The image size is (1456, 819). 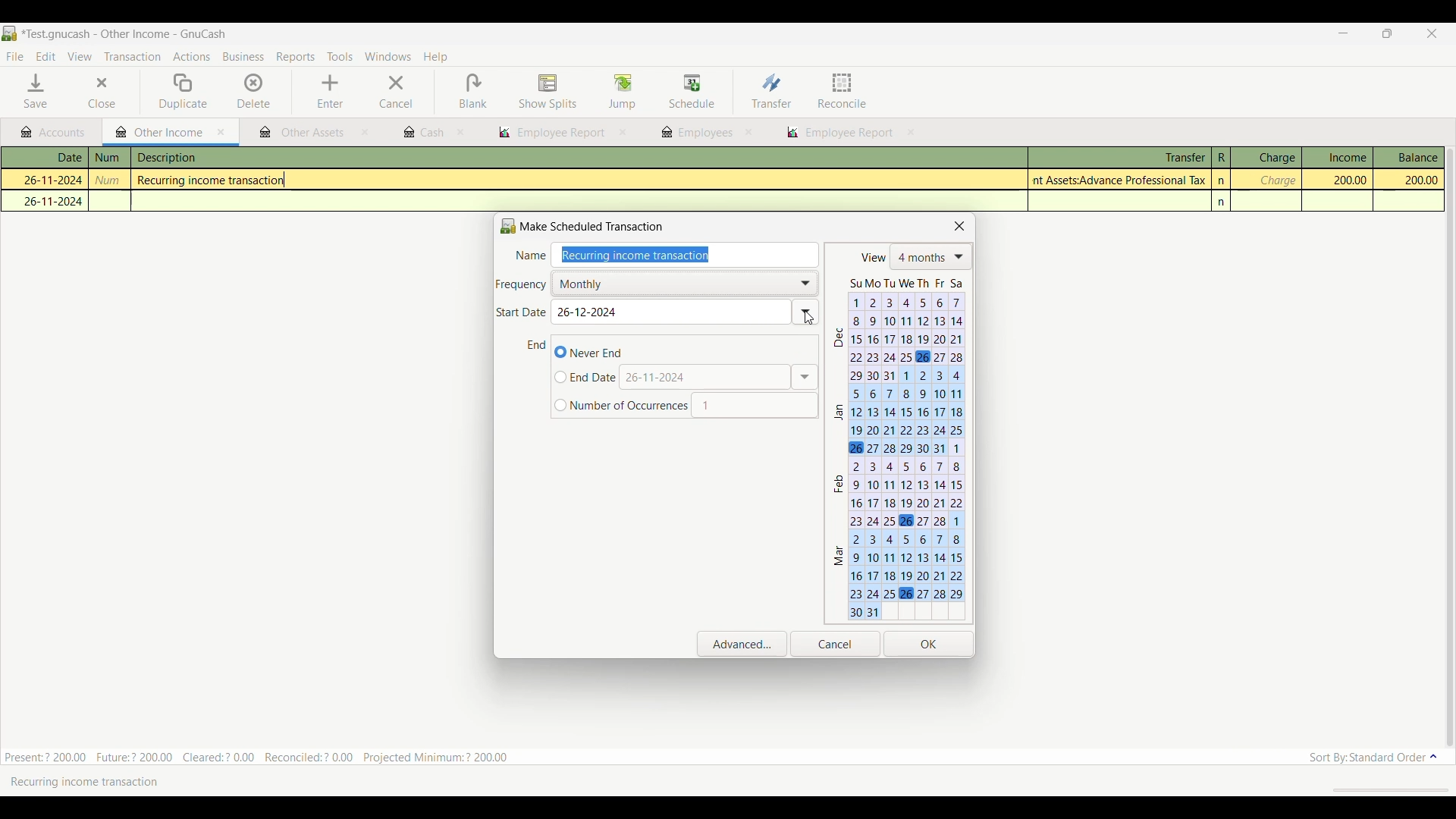 I want to click on Name, so click(x=530, y=256).